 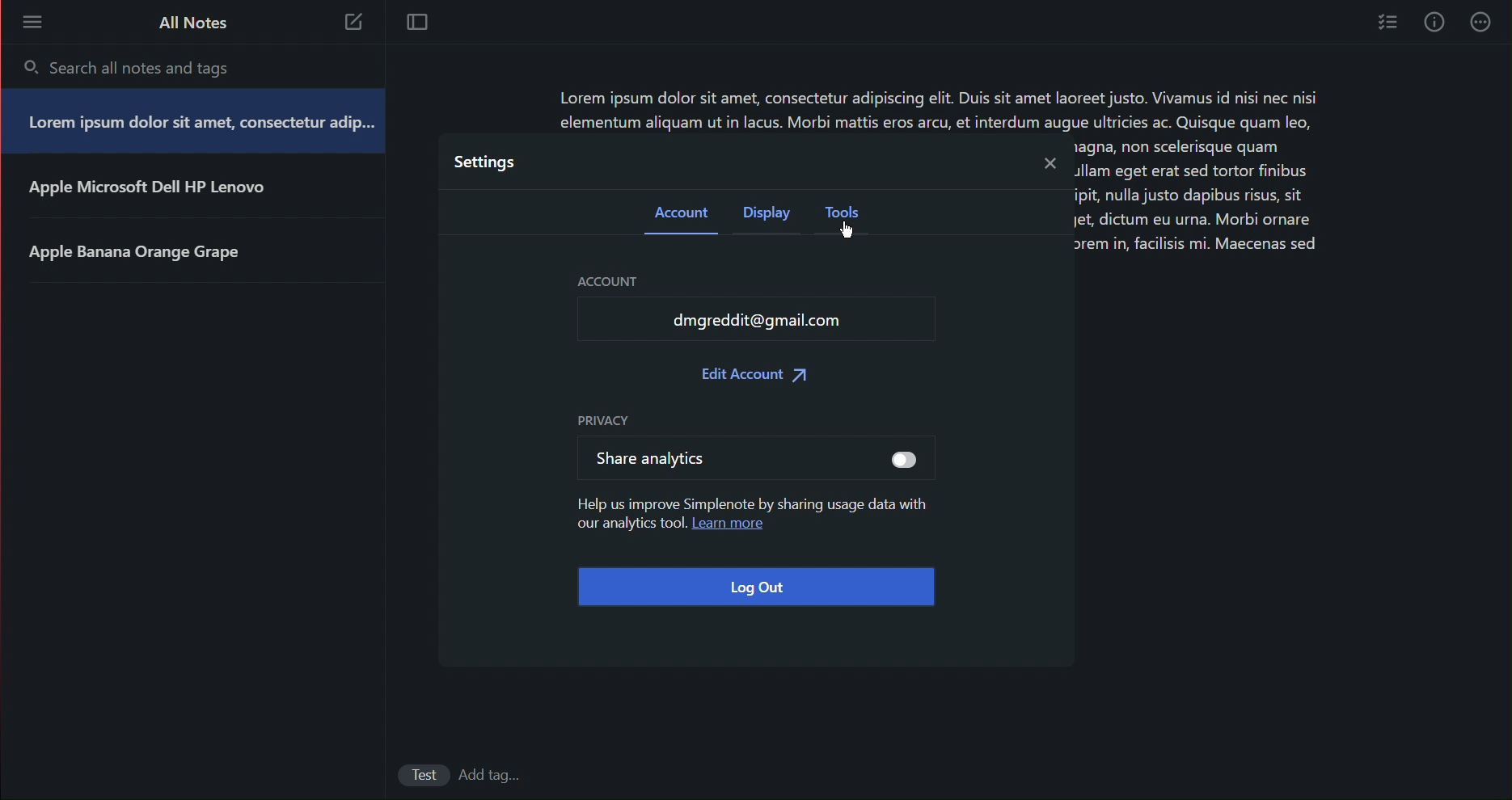 I want to click on Account, so click(x=678, y=213).